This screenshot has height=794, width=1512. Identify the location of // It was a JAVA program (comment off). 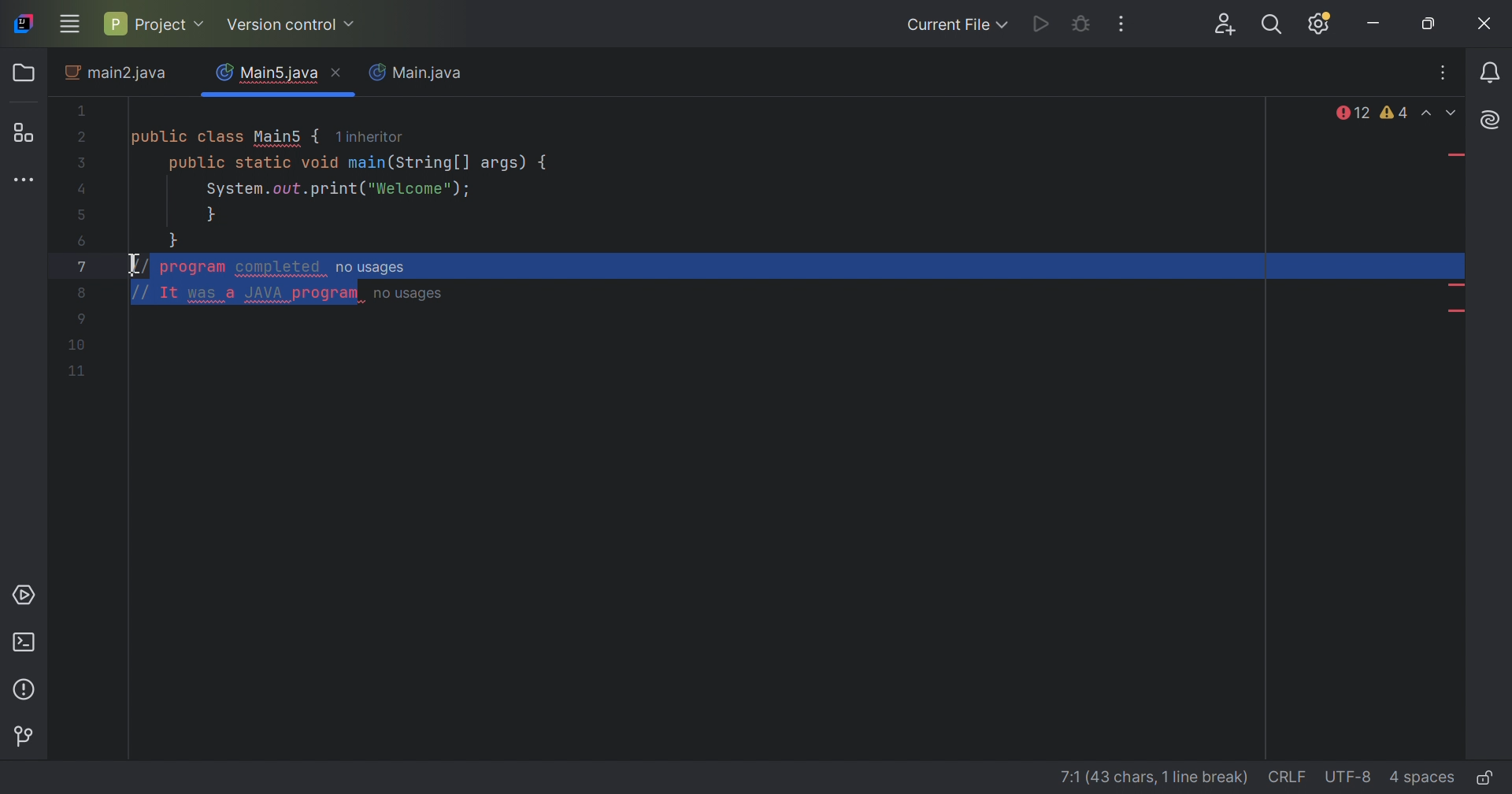
(215, 294).